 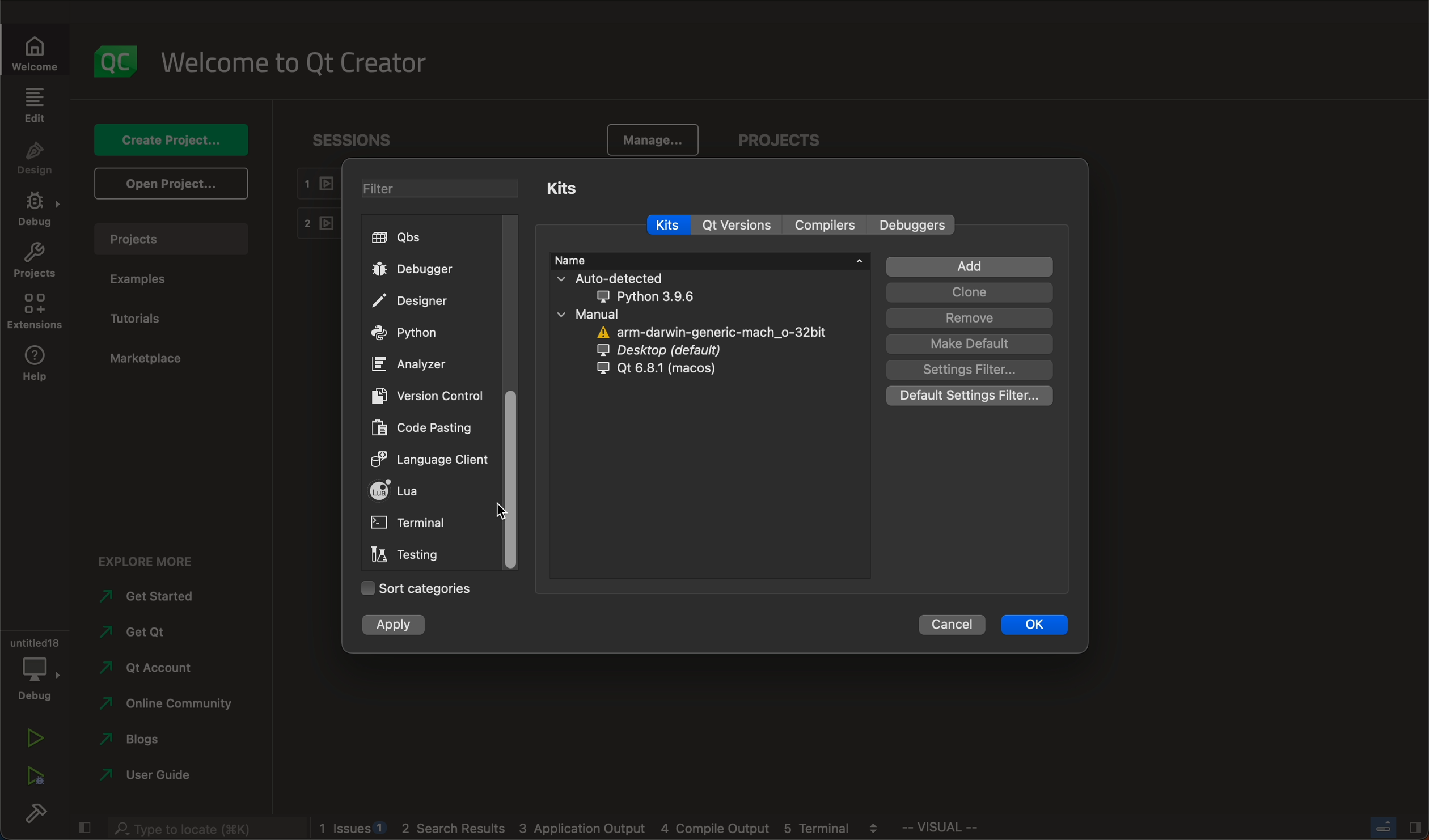 What do you see at coordinates (407, 627) in the screenshot?
I see `apply` at bounding box center [407, 627].